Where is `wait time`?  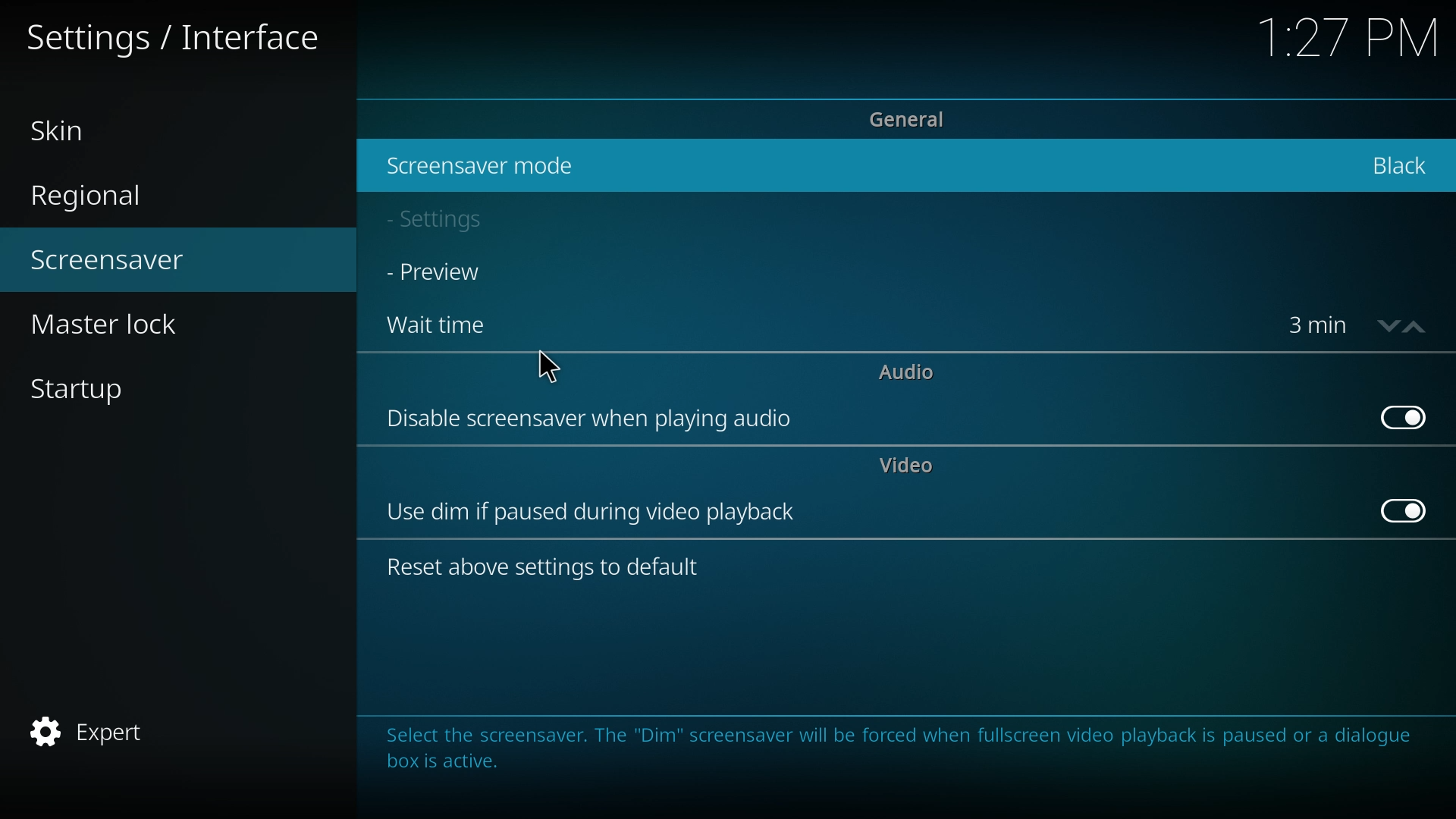
wait time is located at coordinates (463, 326).